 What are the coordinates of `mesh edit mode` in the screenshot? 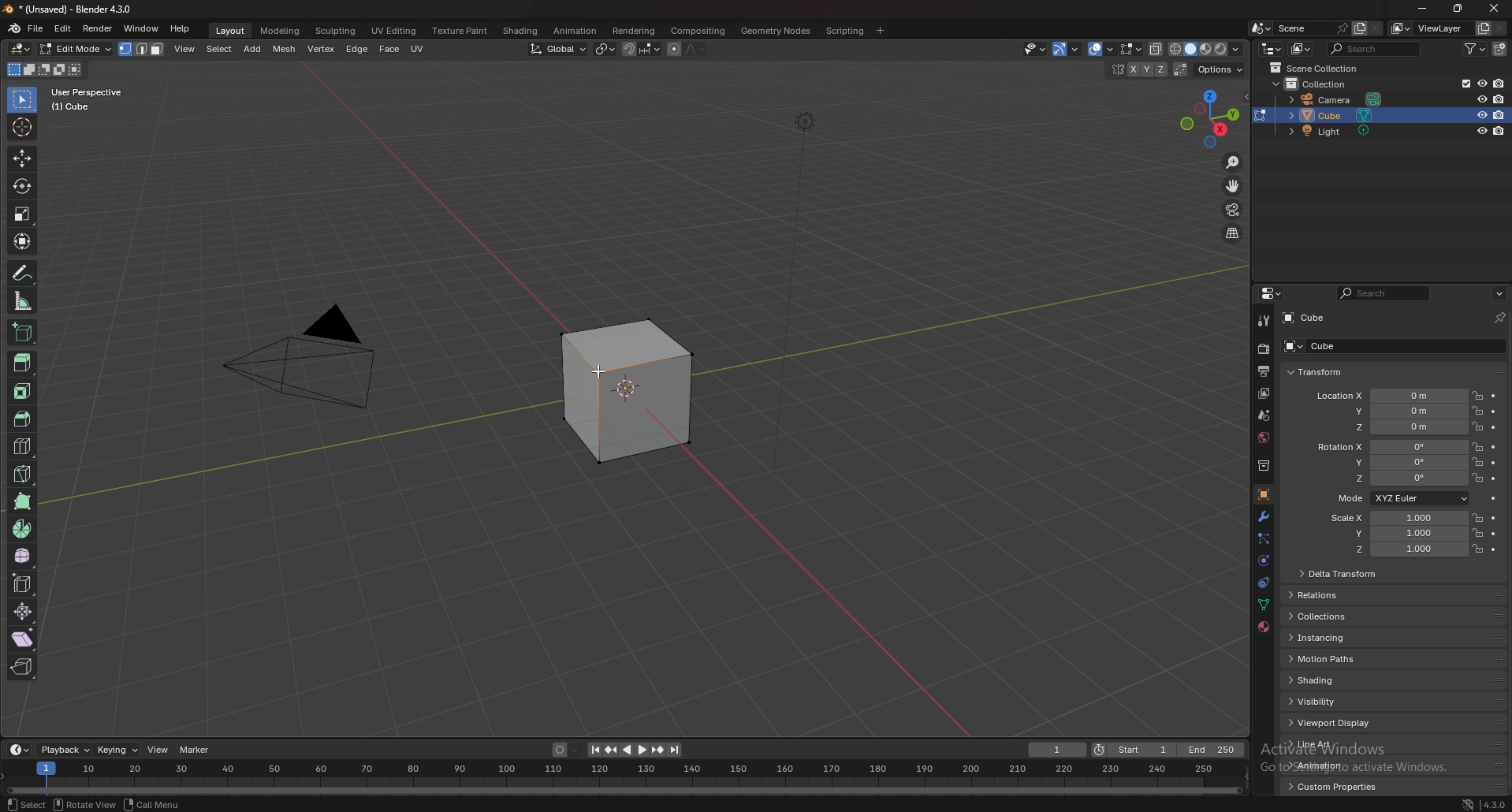 It's located at (1132, 49).